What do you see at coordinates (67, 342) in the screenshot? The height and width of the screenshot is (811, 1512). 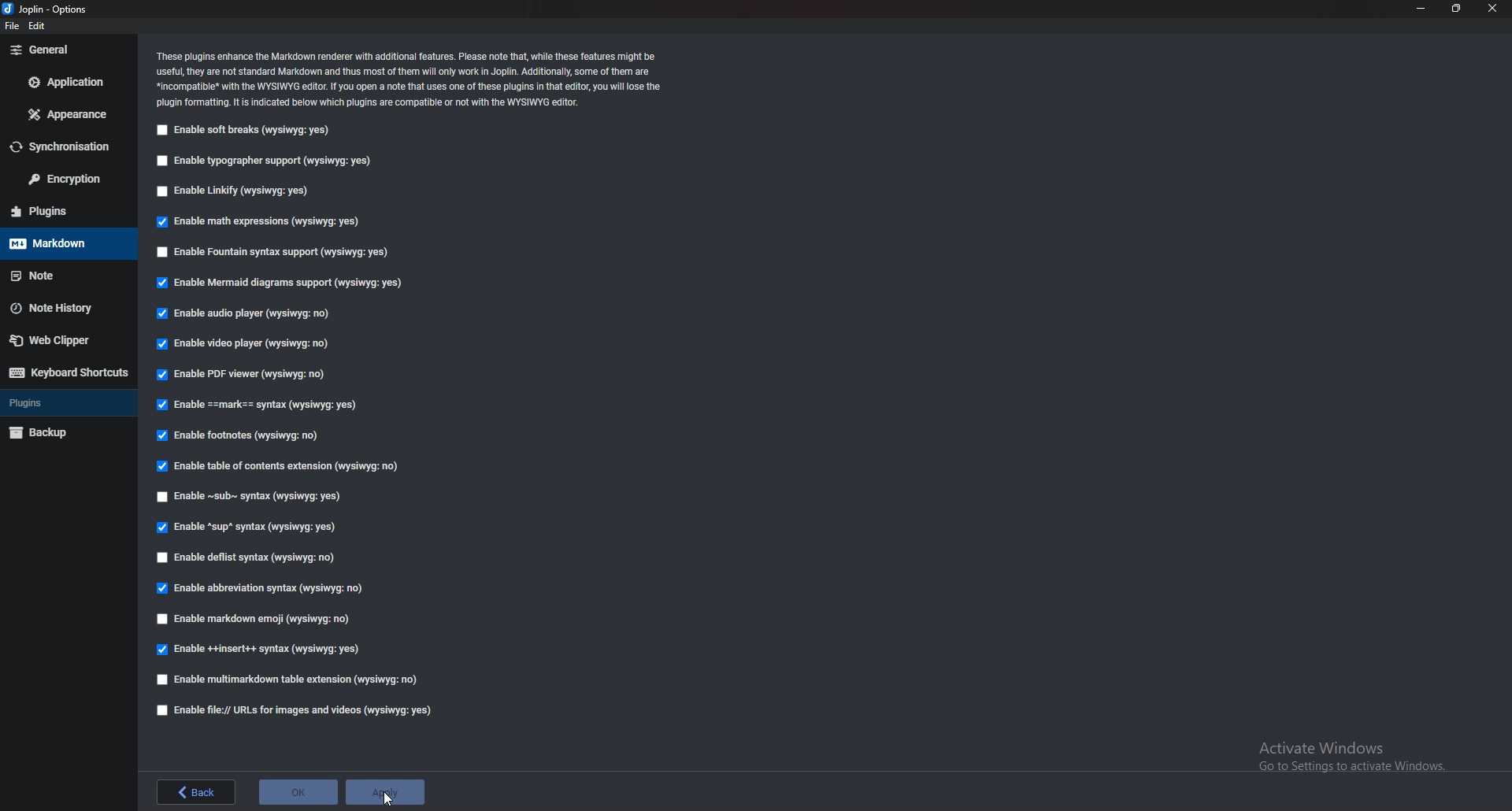 I see `Webclipper` at bounding box center [67, 342].